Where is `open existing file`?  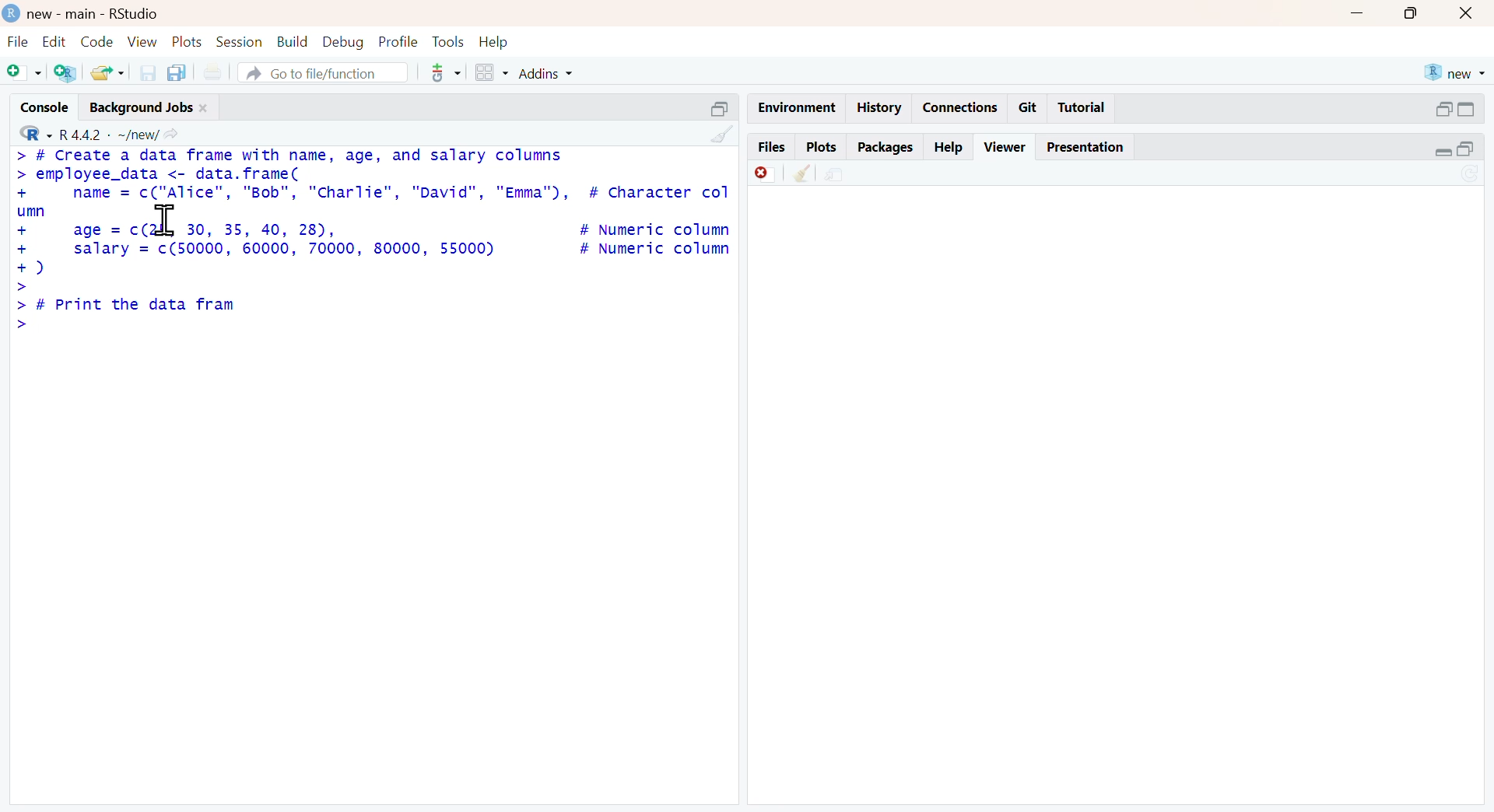 open existing file is located at coordinates (104, 72).